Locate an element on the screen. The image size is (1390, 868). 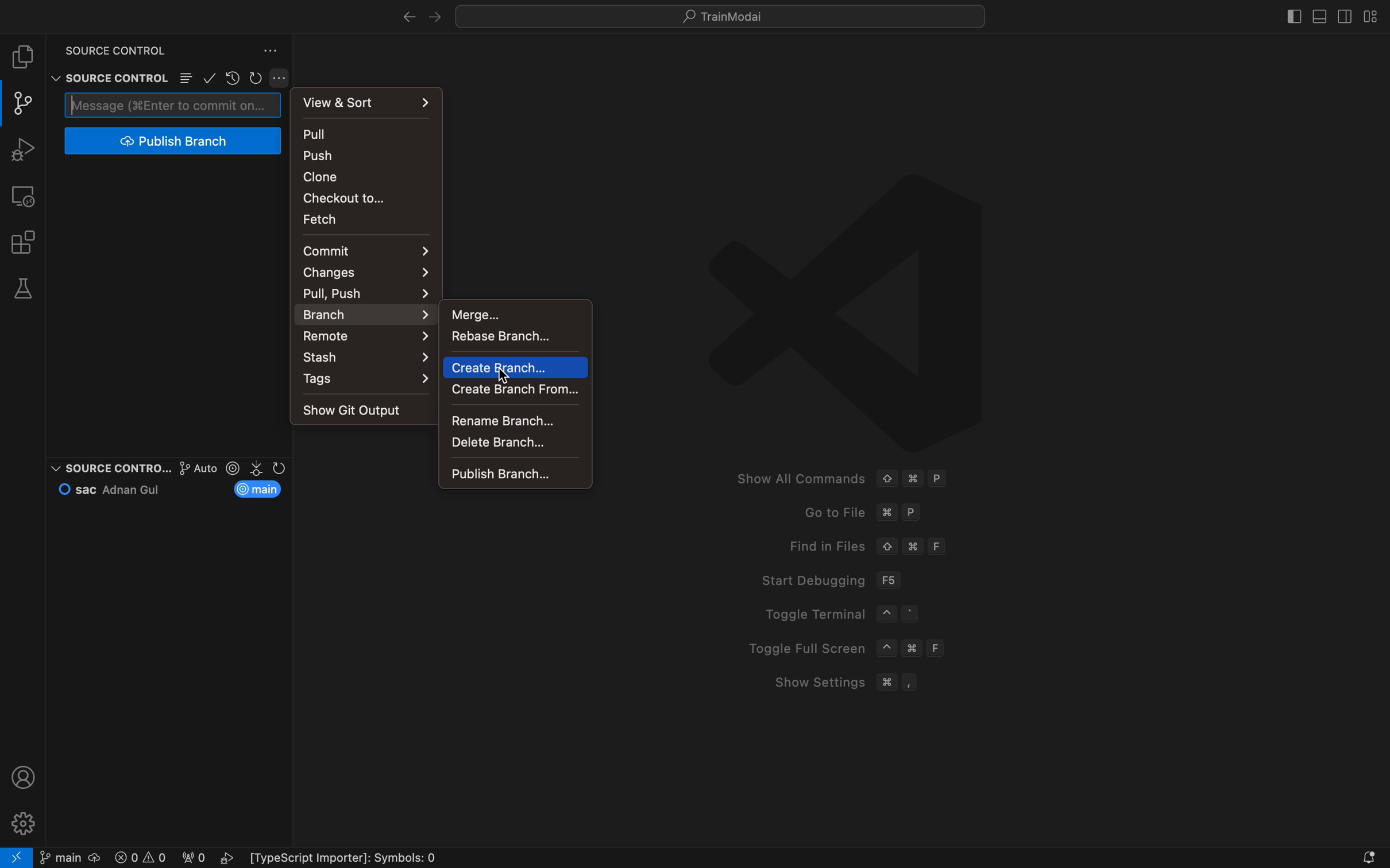
checkout is located at coordinates (362, 197).